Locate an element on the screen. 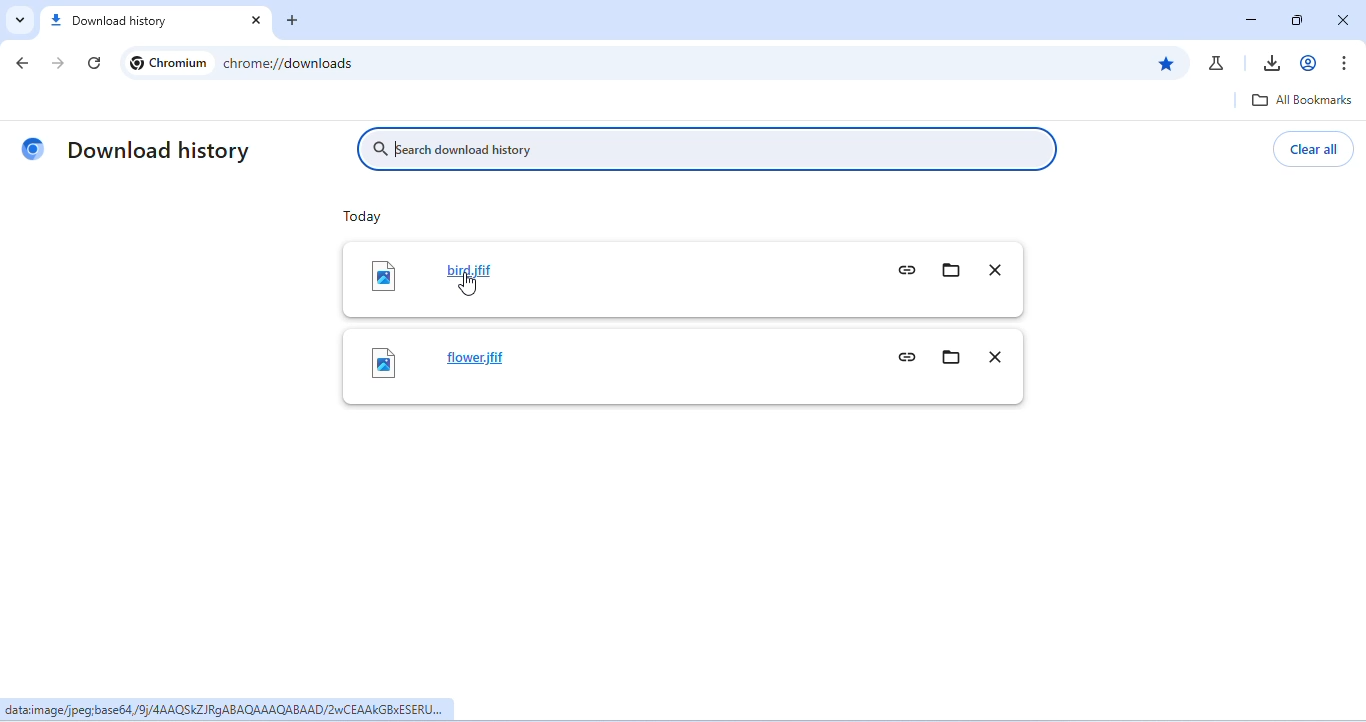 This screenshot has width=1366, height=722. chromium is located at coordinates (167, 63).